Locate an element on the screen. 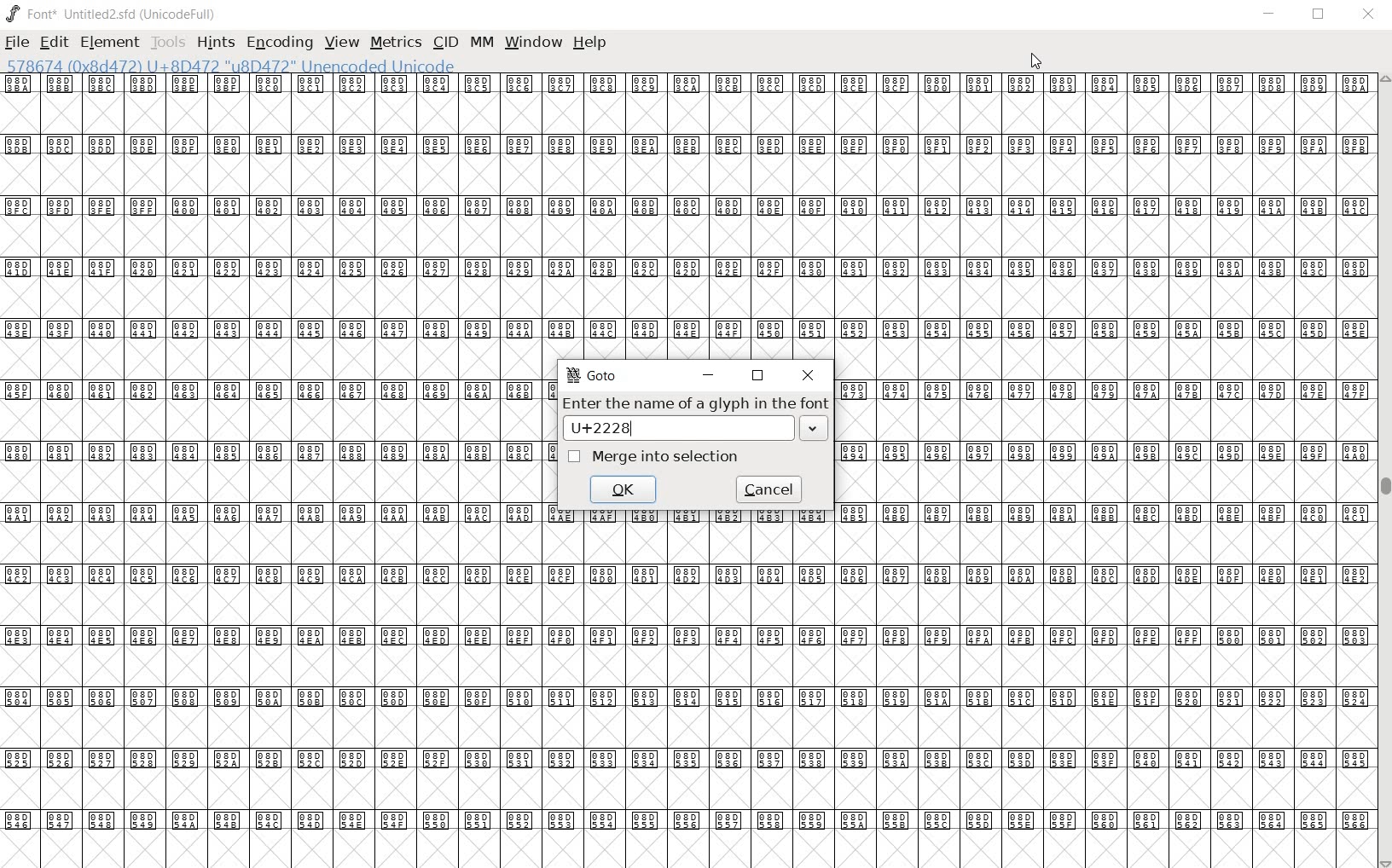  Textbox is located at coordinates (697, 429).